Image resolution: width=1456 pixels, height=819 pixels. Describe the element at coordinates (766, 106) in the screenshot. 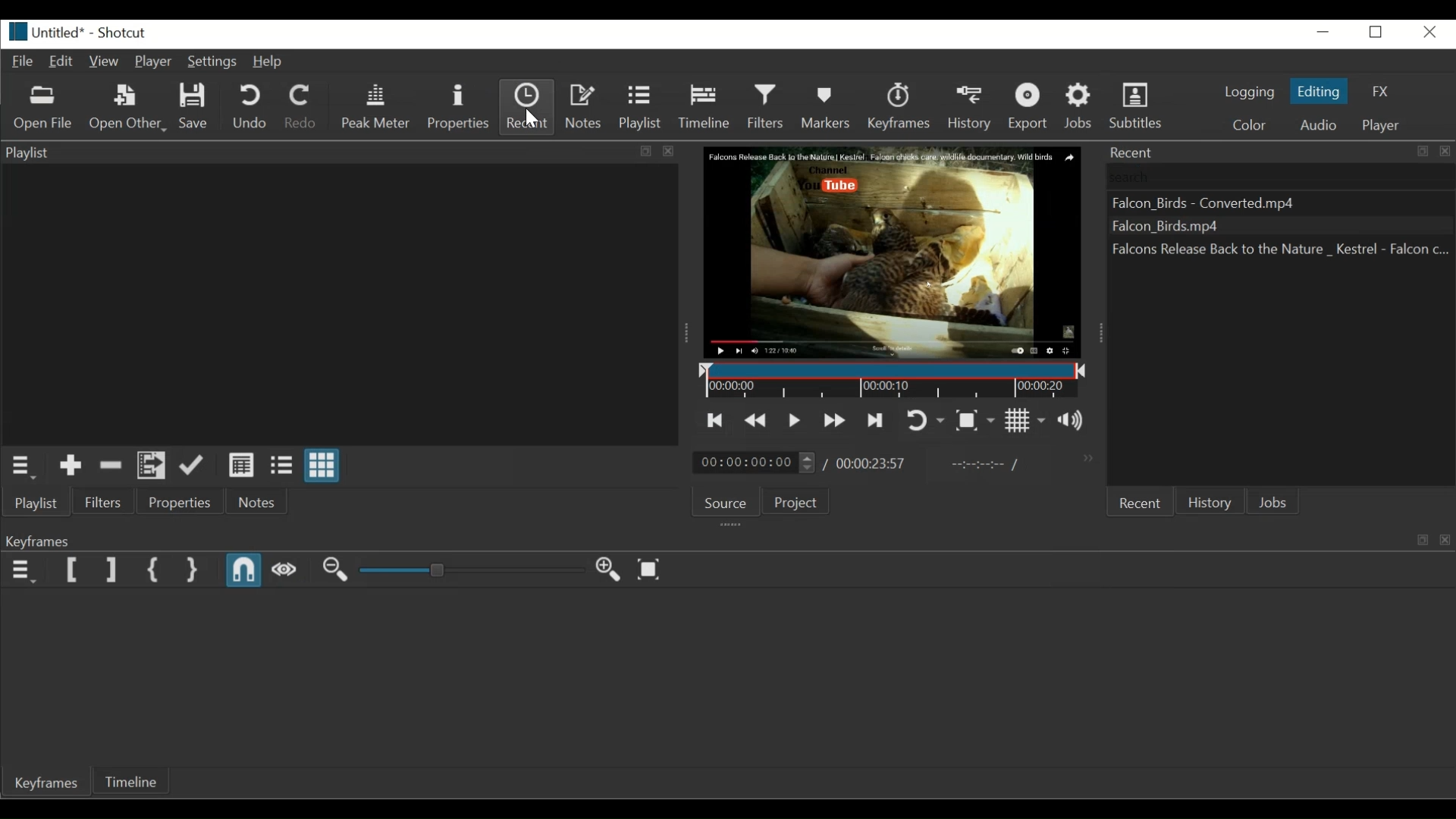

I see `Filters` at that location.